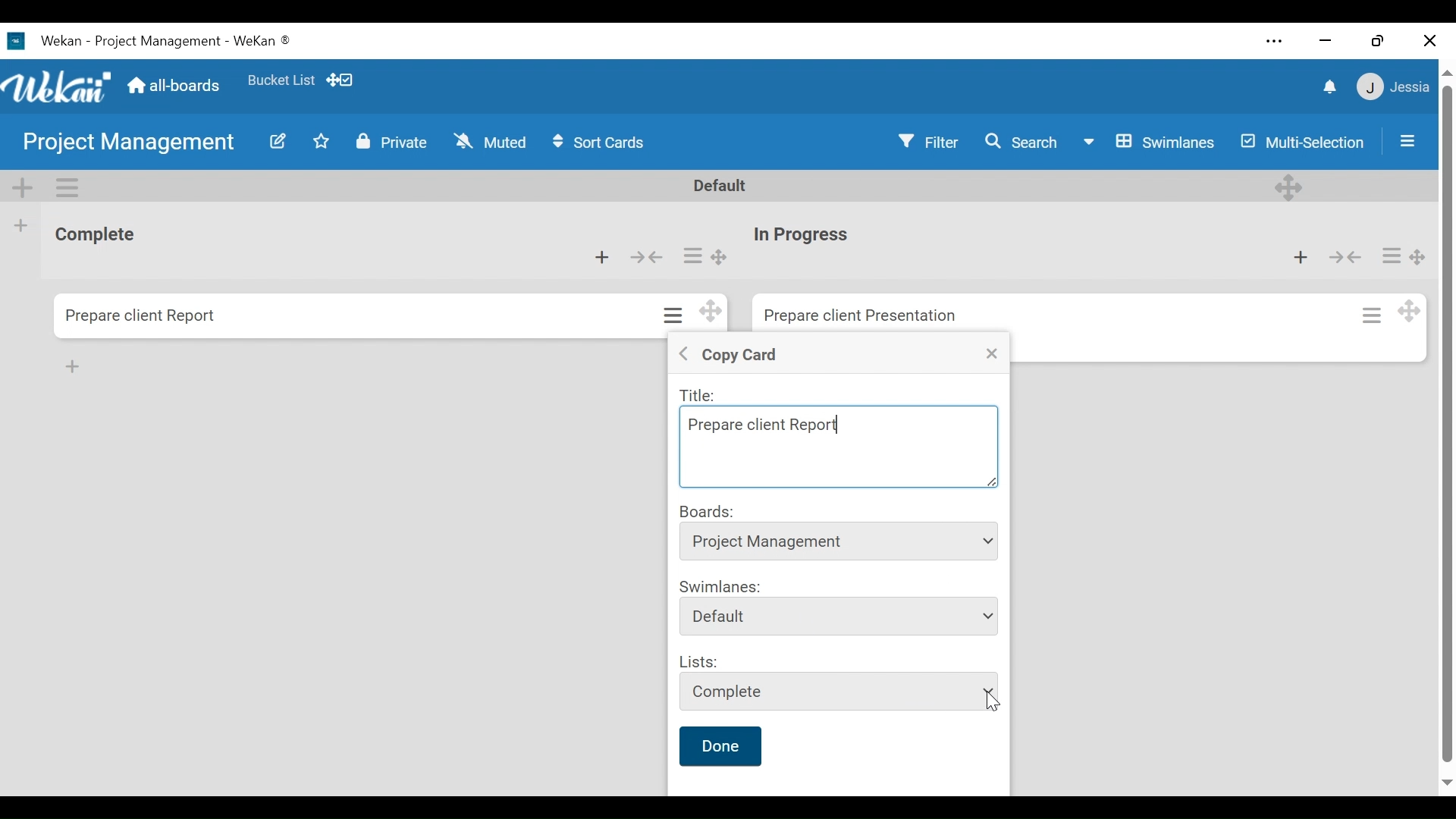  What do you see at coordinates (1402, 86) in the screenshot?
I see `Member` at bounding box center [1402, 86].